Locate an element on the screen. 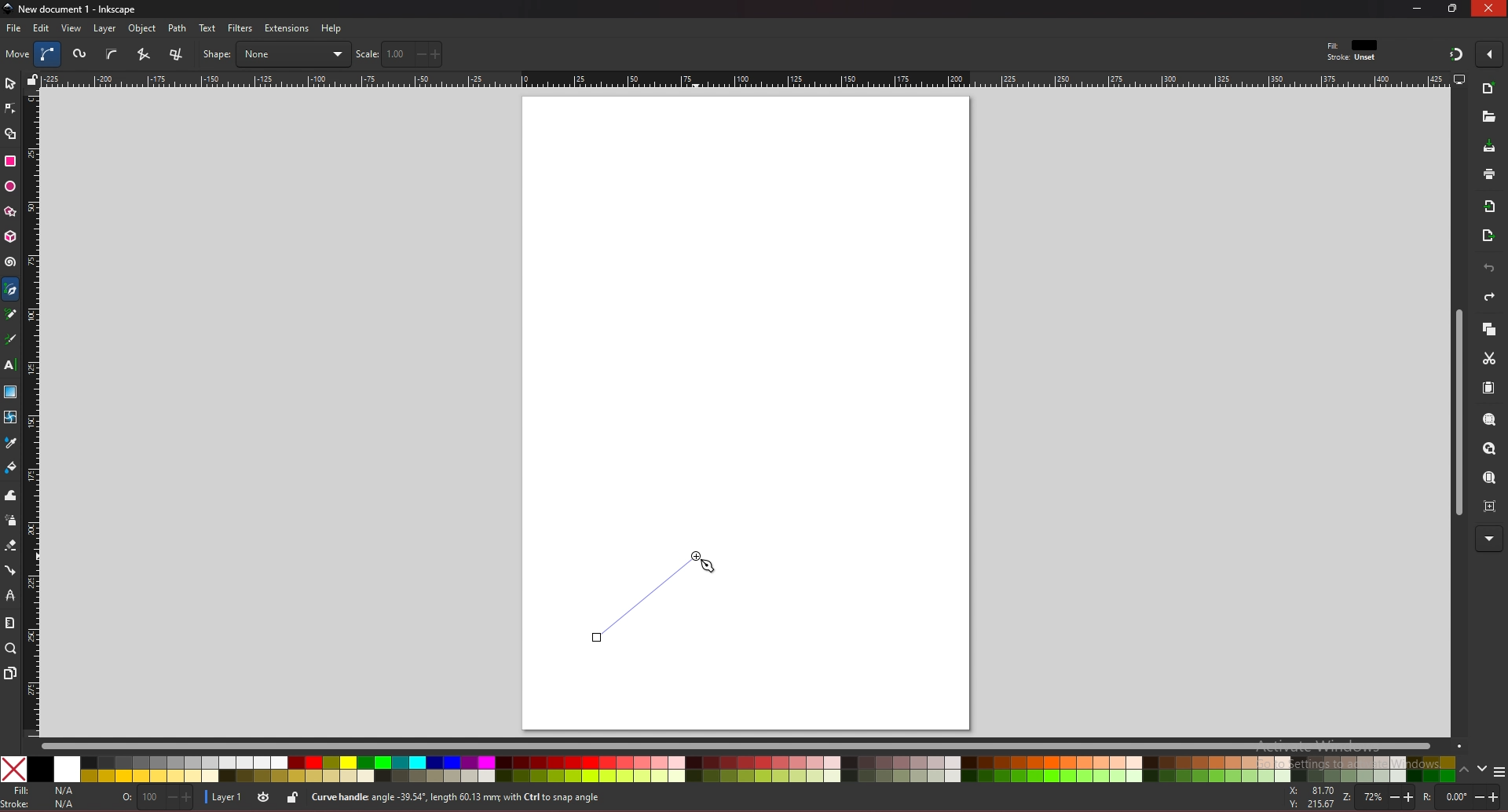  stars and polygons is located at coordinates (11, 212).